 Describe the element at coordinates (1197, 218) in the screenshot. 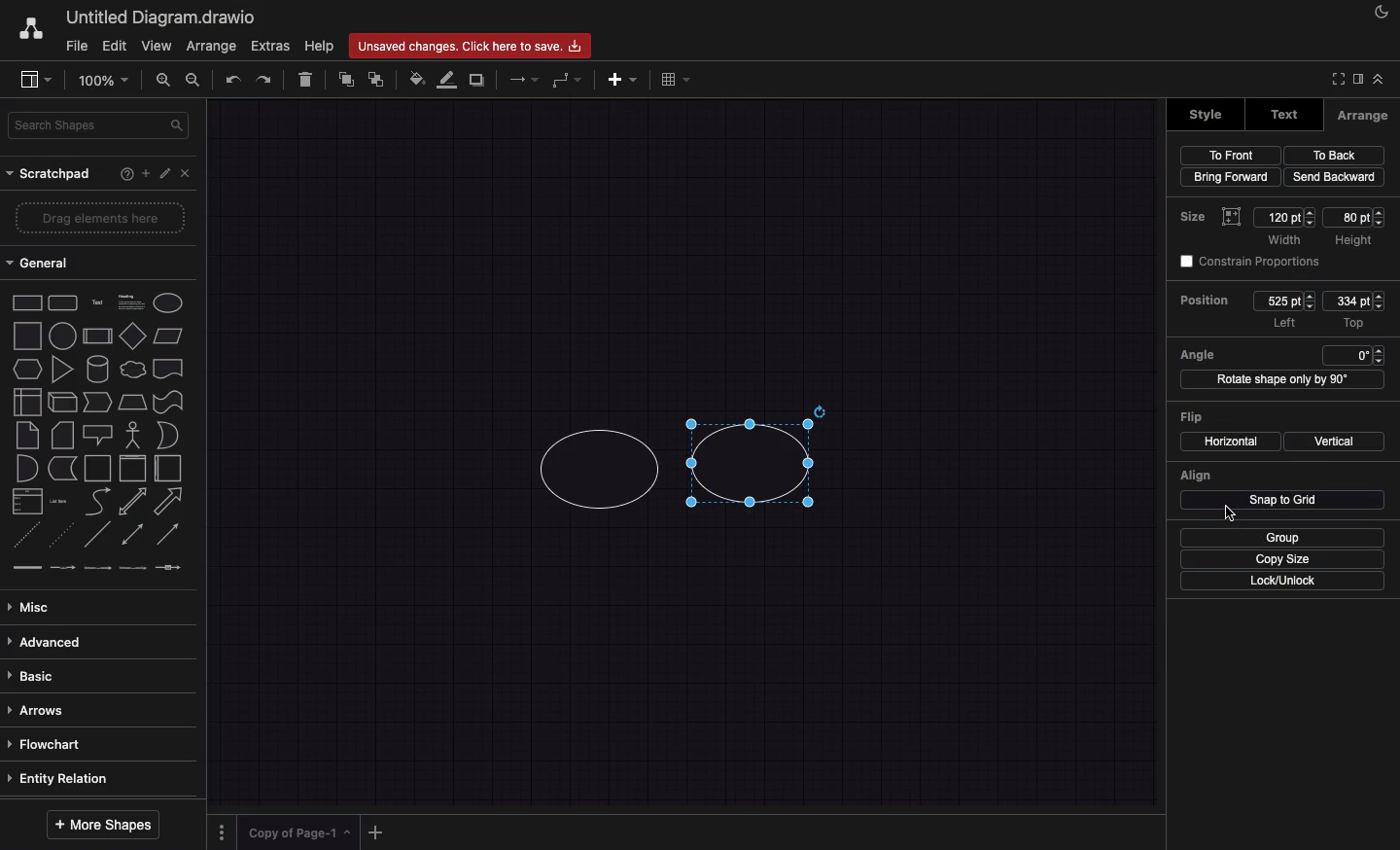

I see `size` at that location.